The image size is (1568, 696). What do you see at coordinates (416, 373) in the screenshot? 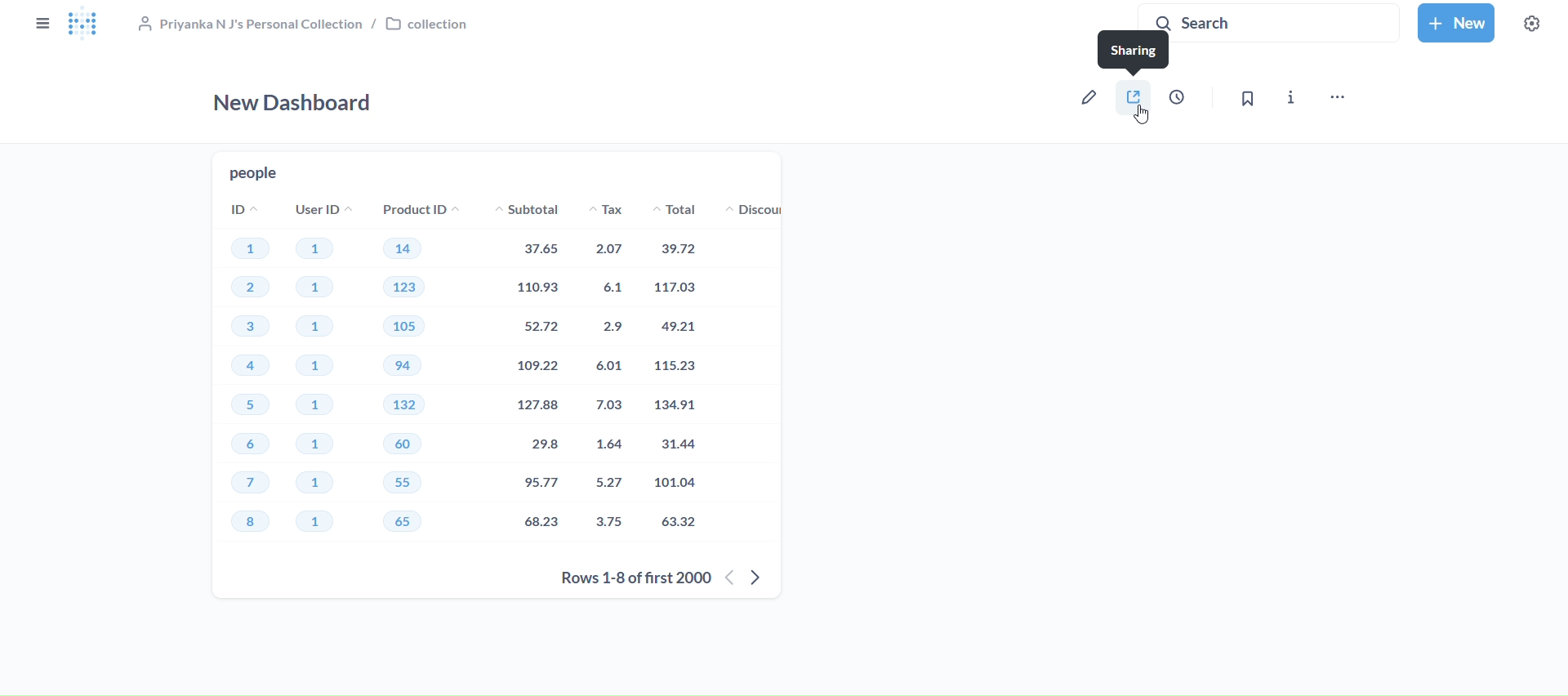
I see `Product ID's` at bounding box center [416, 373].